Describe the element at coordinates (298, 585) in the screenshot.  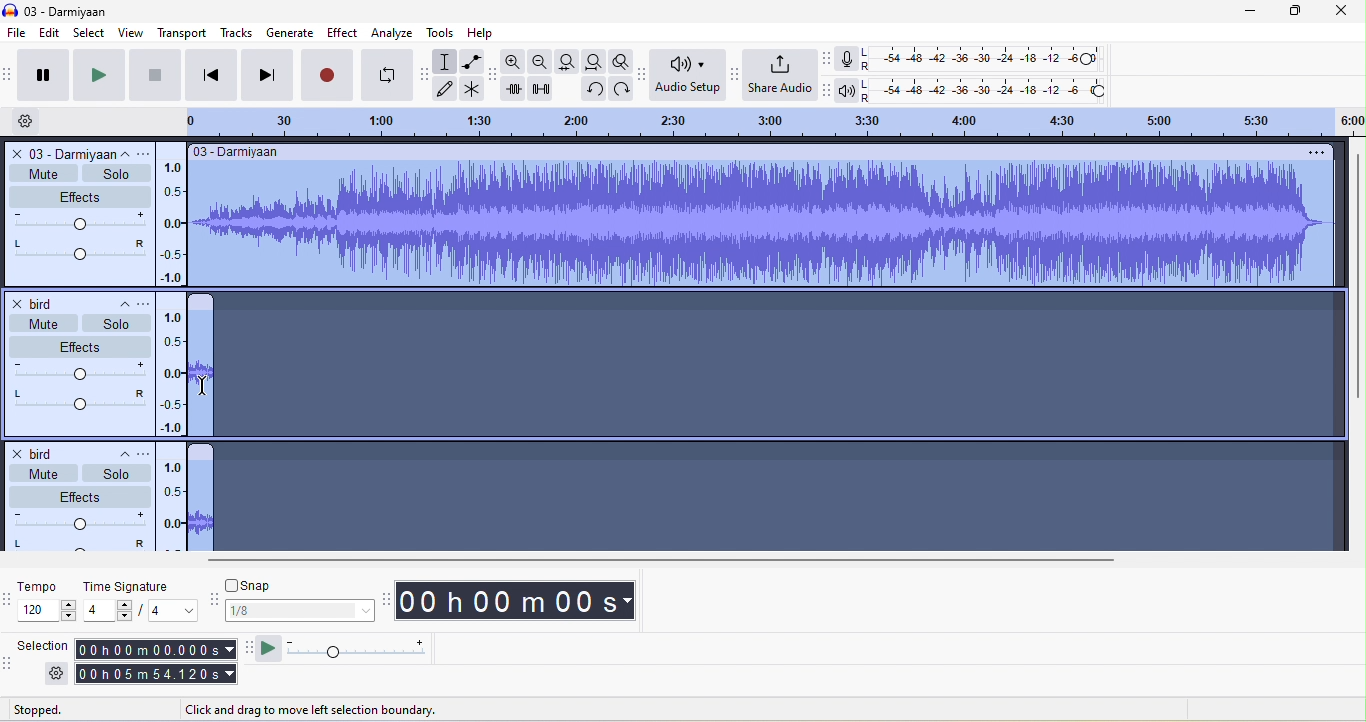
I see `snap` at that location.